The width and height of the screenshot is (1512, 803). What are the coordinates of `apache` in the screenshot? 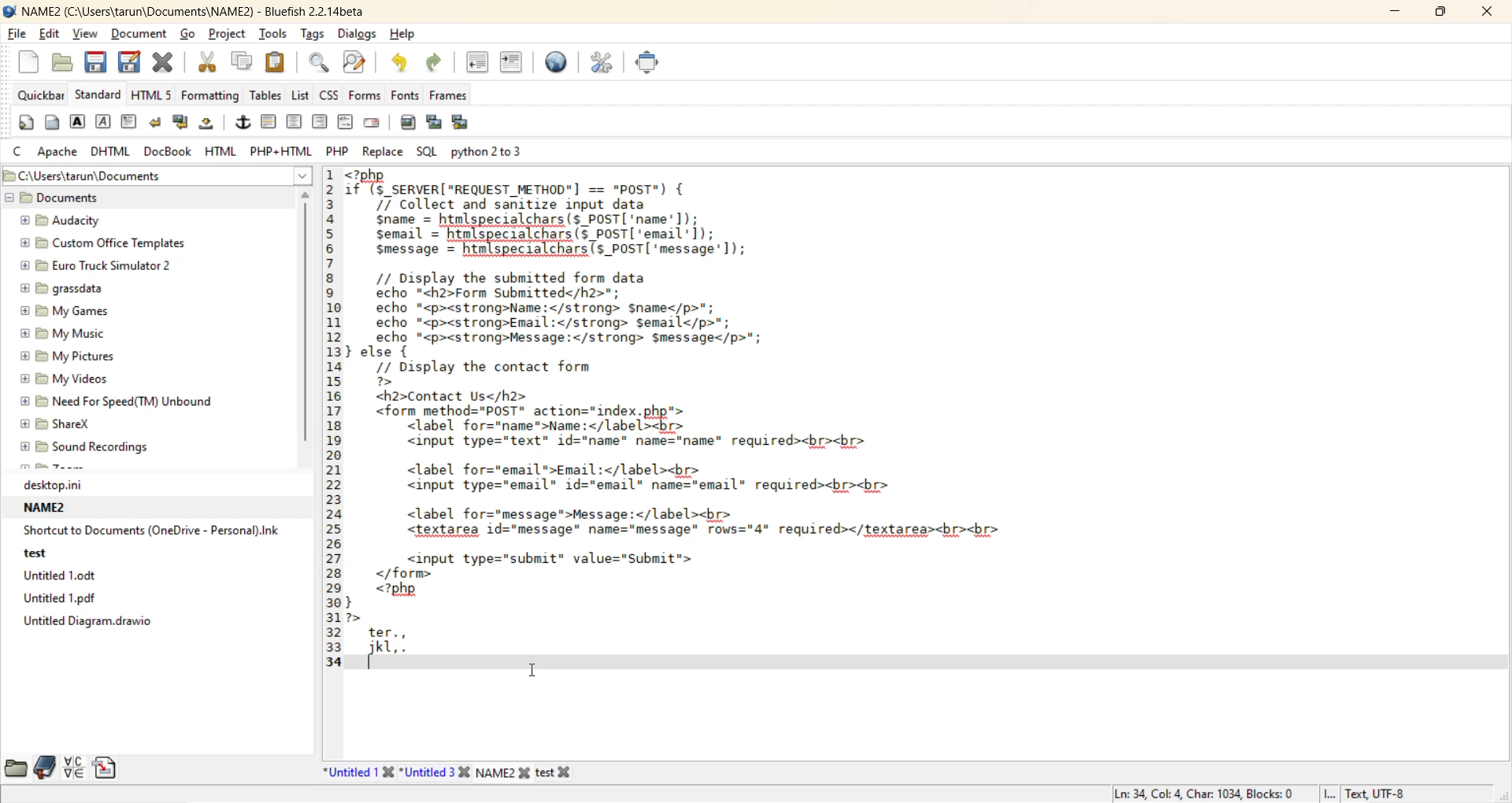 It's located at (61, 153).